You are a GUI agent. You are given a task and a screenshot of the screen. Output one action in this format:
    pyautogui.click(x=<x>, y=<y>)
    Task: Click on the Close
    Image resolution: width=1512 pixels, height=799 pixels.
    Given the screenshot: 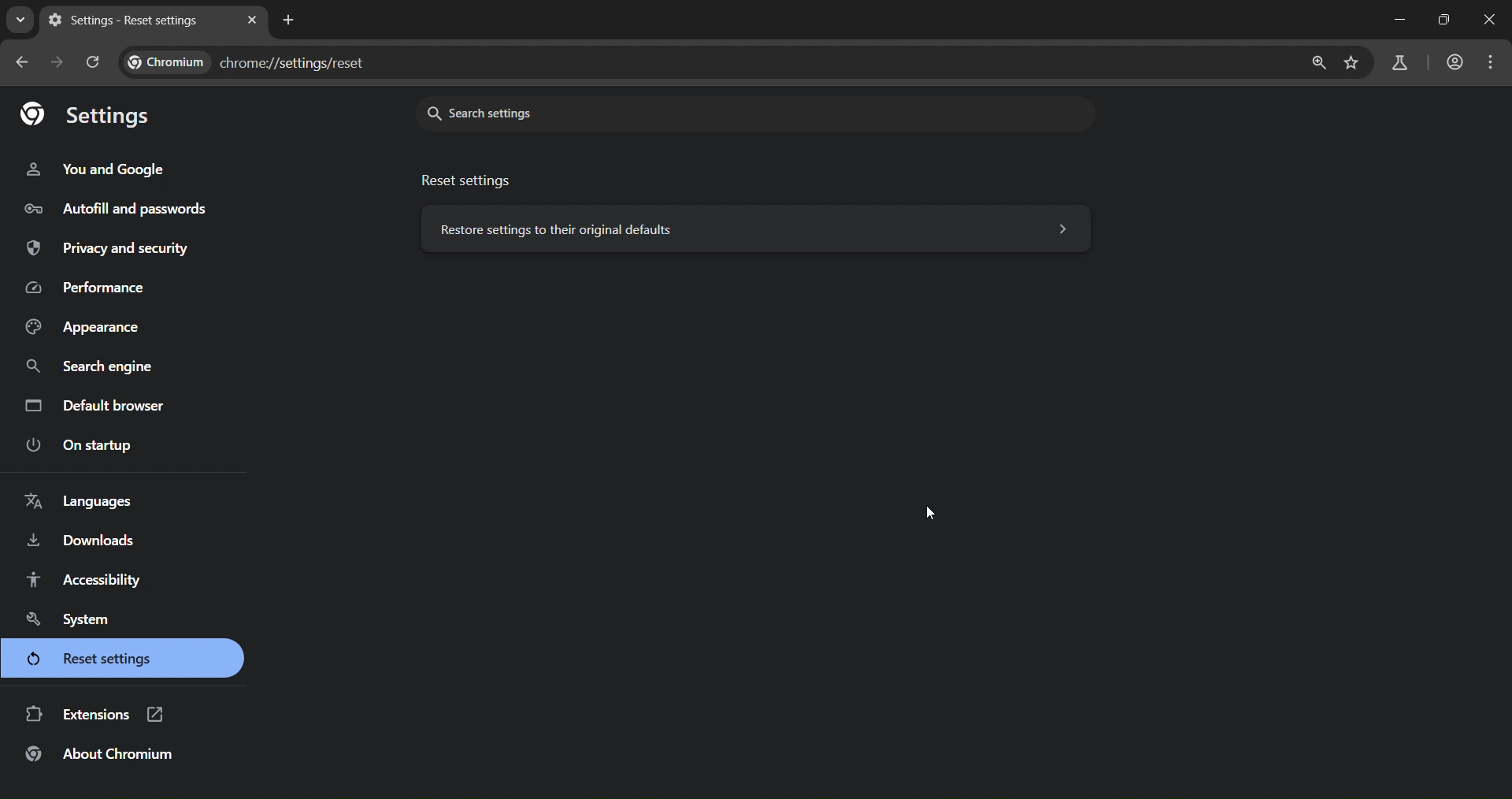 What is the action you would take?
    pyautogui.click(x=1492, y=18)
    